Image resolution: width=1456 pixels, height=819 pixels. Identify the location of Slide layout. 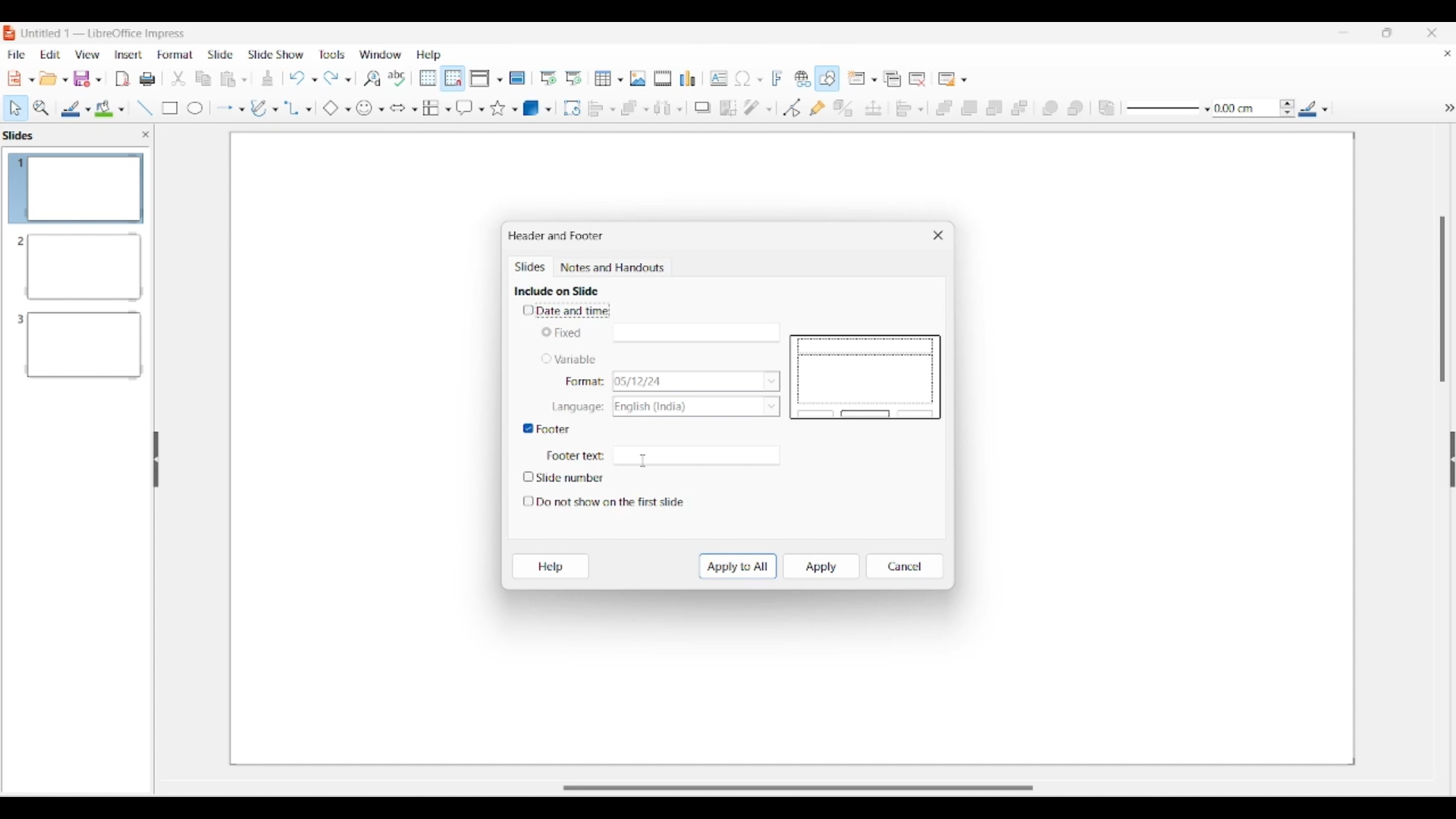
(954, 79).